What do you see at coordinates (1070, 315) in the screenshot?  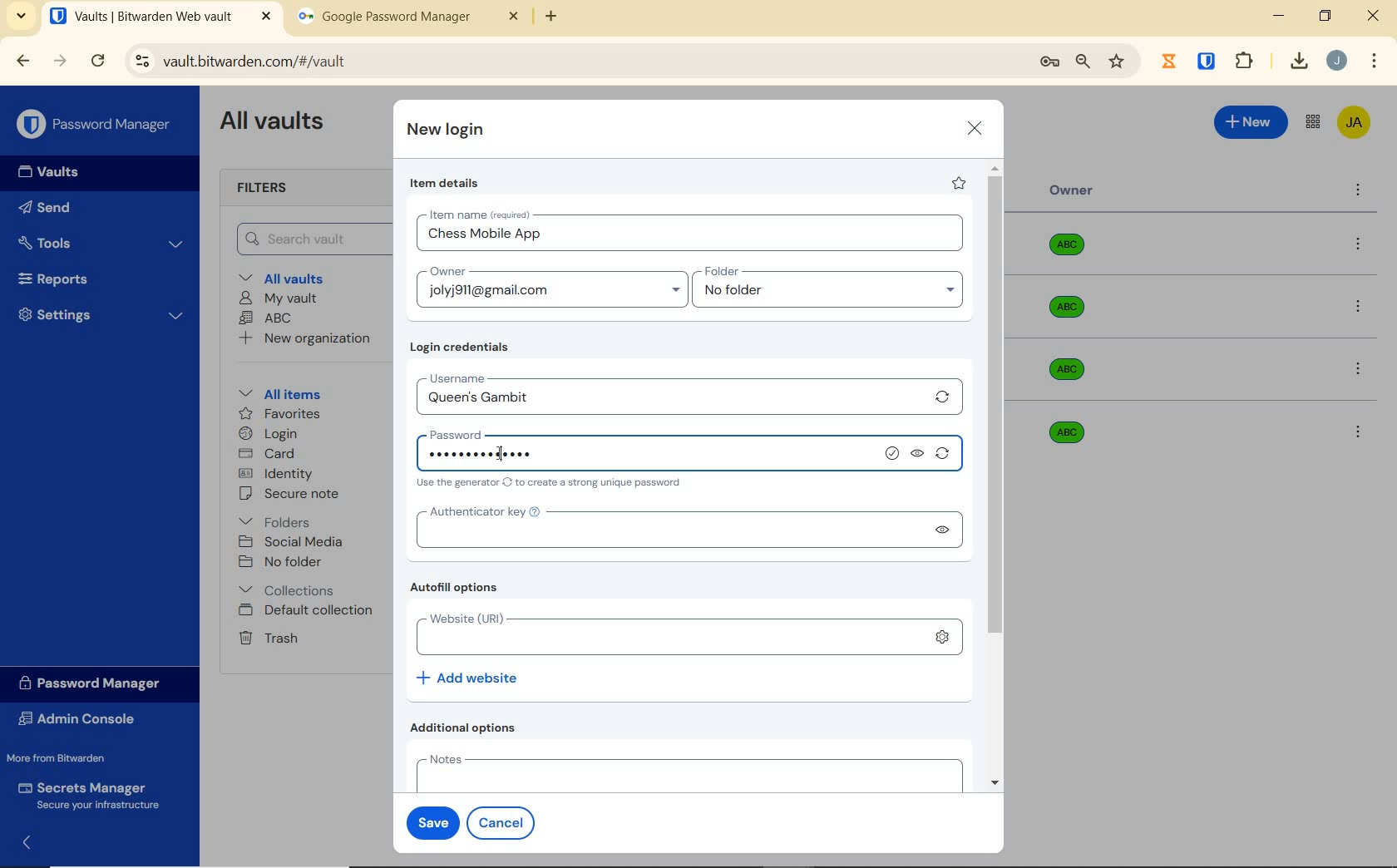 I see `Owner organization` at bounding box center [1070, 315].